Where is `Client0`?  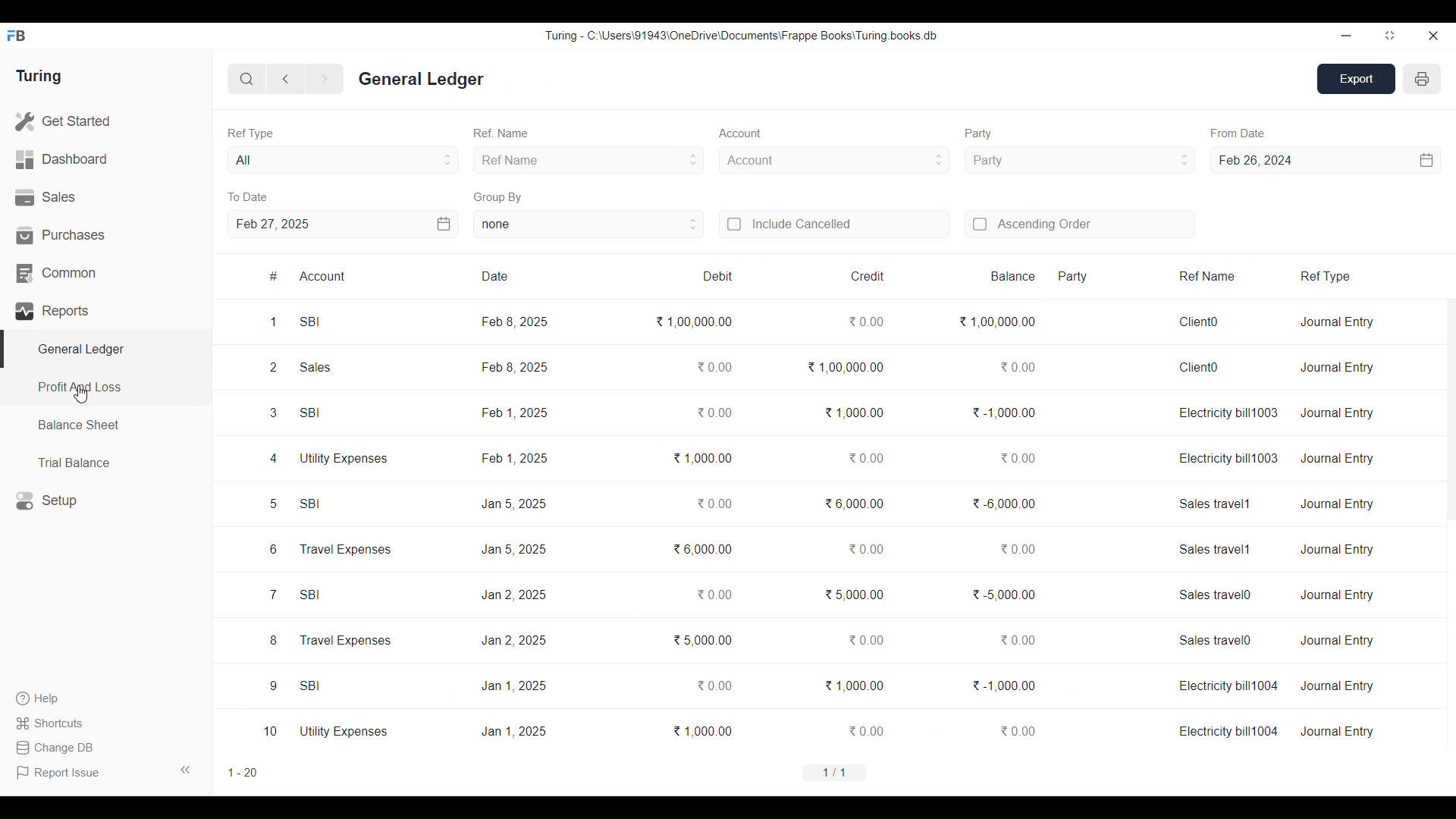 Client0 is located at coordinates (1198, 367).